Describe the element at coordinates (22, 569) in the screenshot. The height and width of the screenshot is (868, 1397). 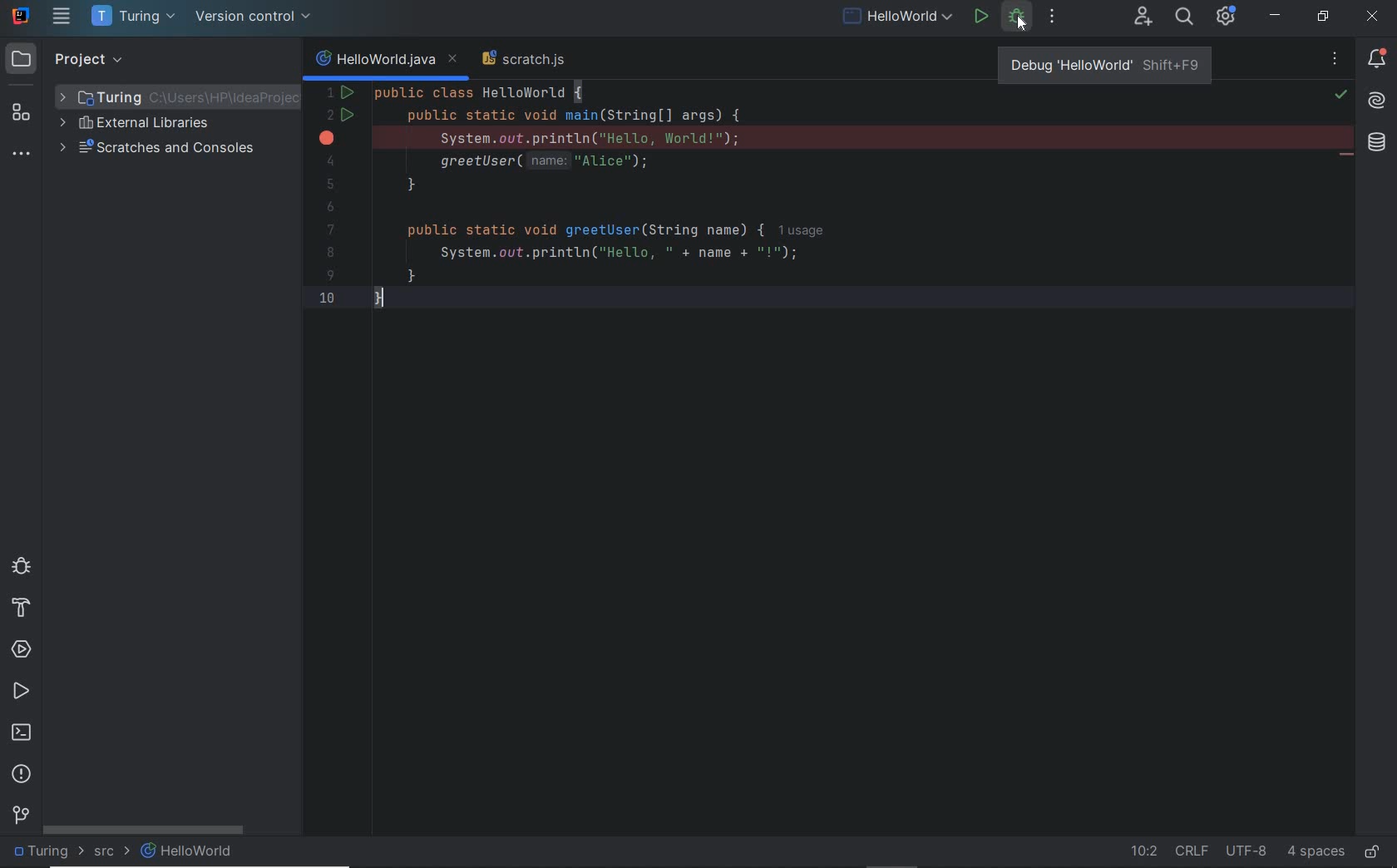
I see `debug` at that location.